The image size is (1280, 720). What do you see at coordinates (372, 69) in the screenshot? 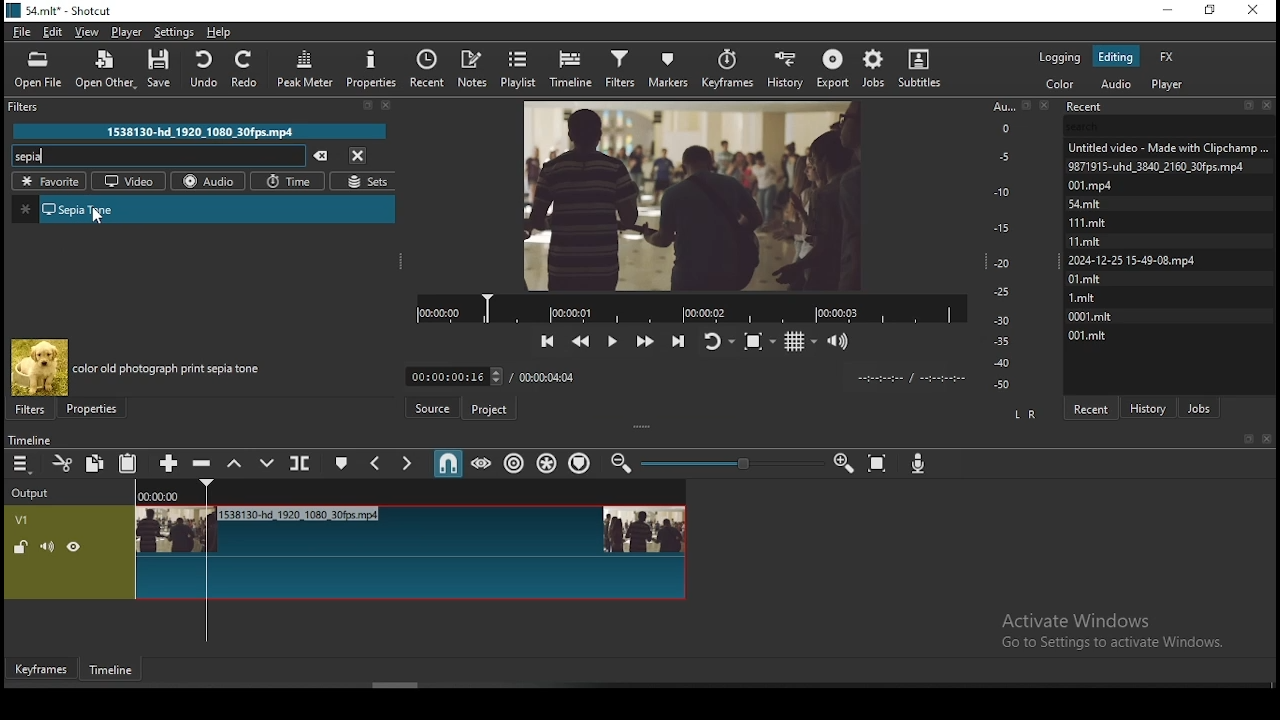
I see `properties` at bounding box center [372, 69].